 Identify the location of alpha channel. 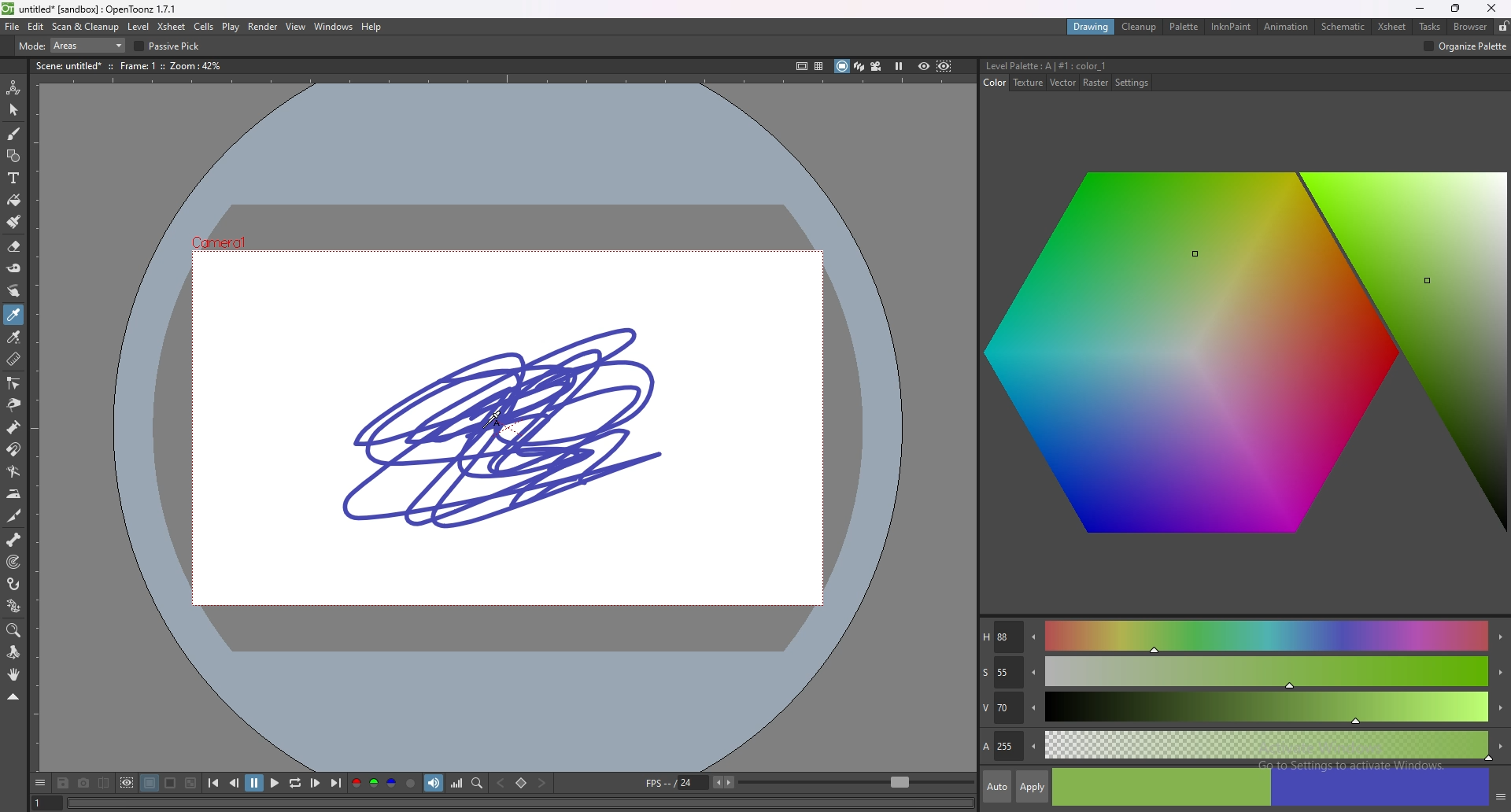
(411, 783).